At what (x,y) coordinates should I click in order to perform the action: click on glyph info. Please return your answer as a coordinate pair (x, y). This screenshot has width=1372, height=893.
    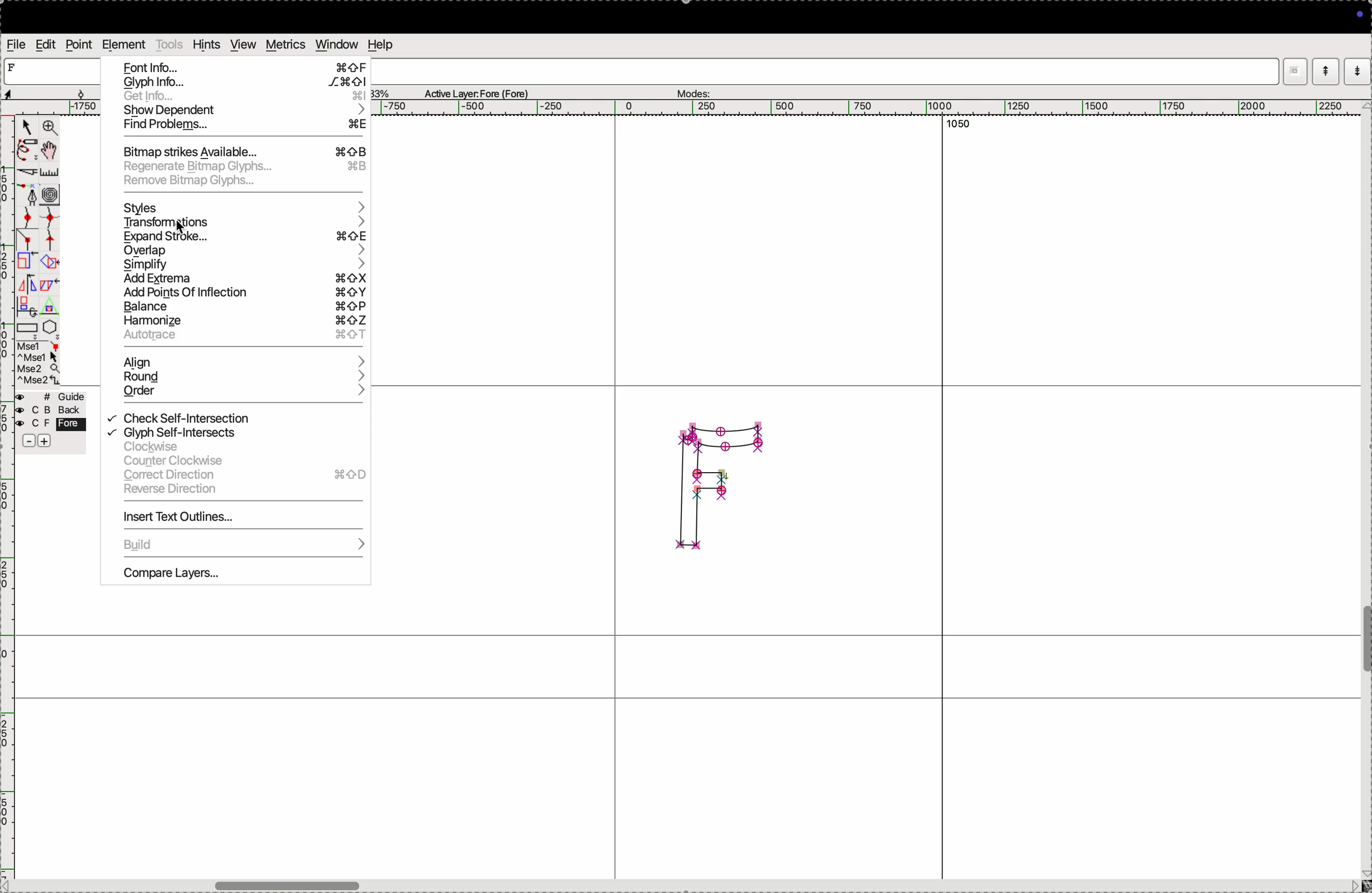
    Looking at the image, I should click on (246, 82).